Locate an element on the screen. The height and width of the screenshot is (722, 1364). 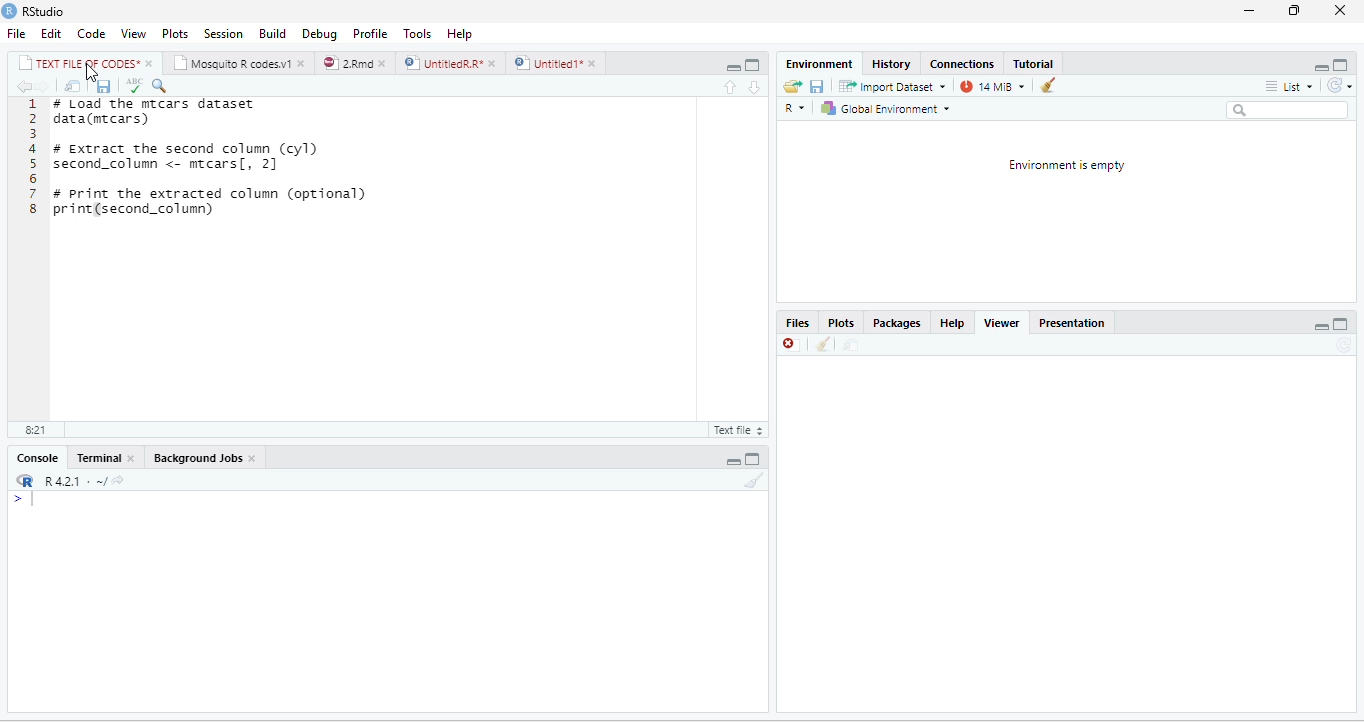
close is located at coordinates (790, 346).